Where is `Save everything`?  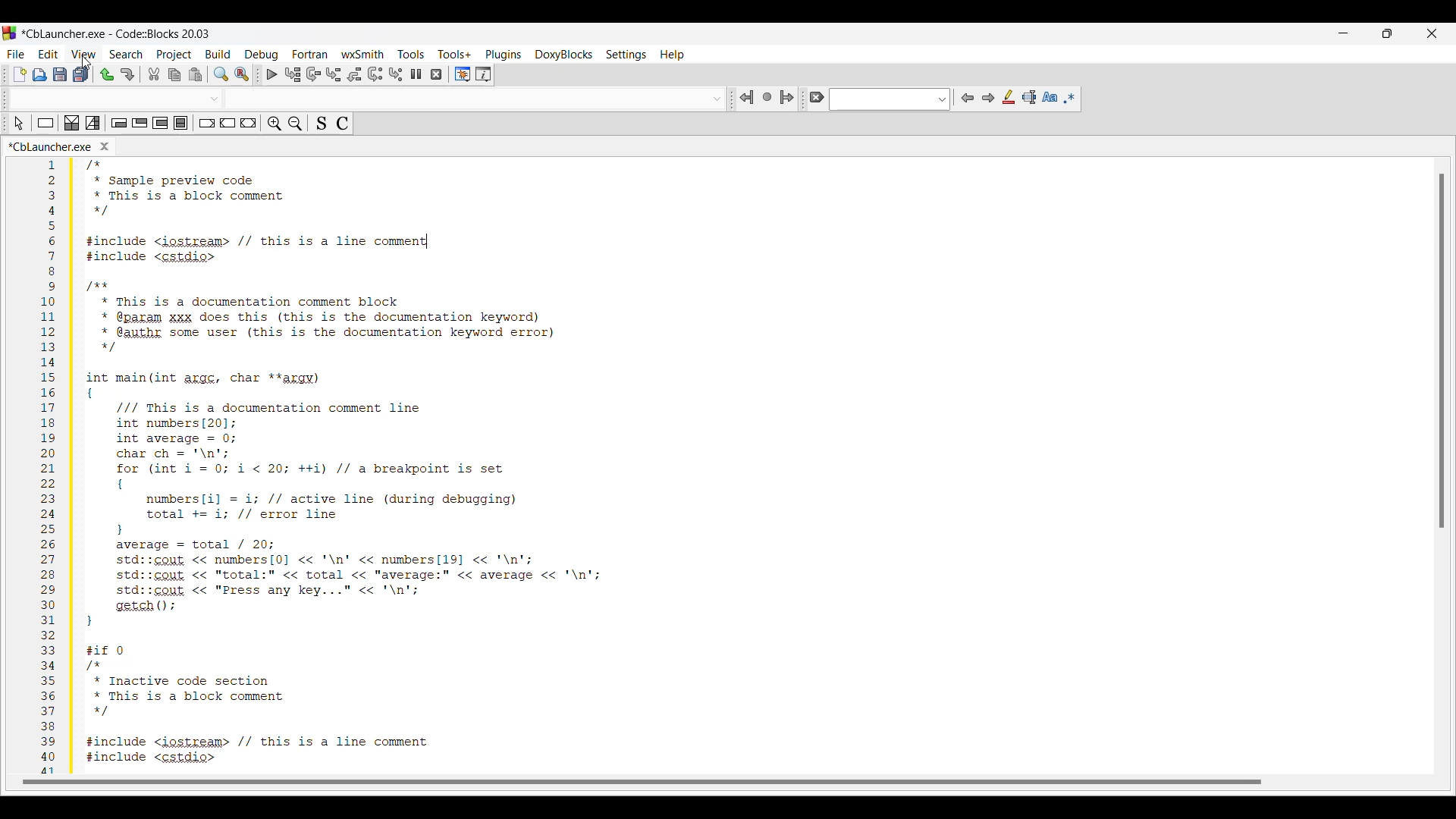 Save everything is located at coordinates (80, 74).